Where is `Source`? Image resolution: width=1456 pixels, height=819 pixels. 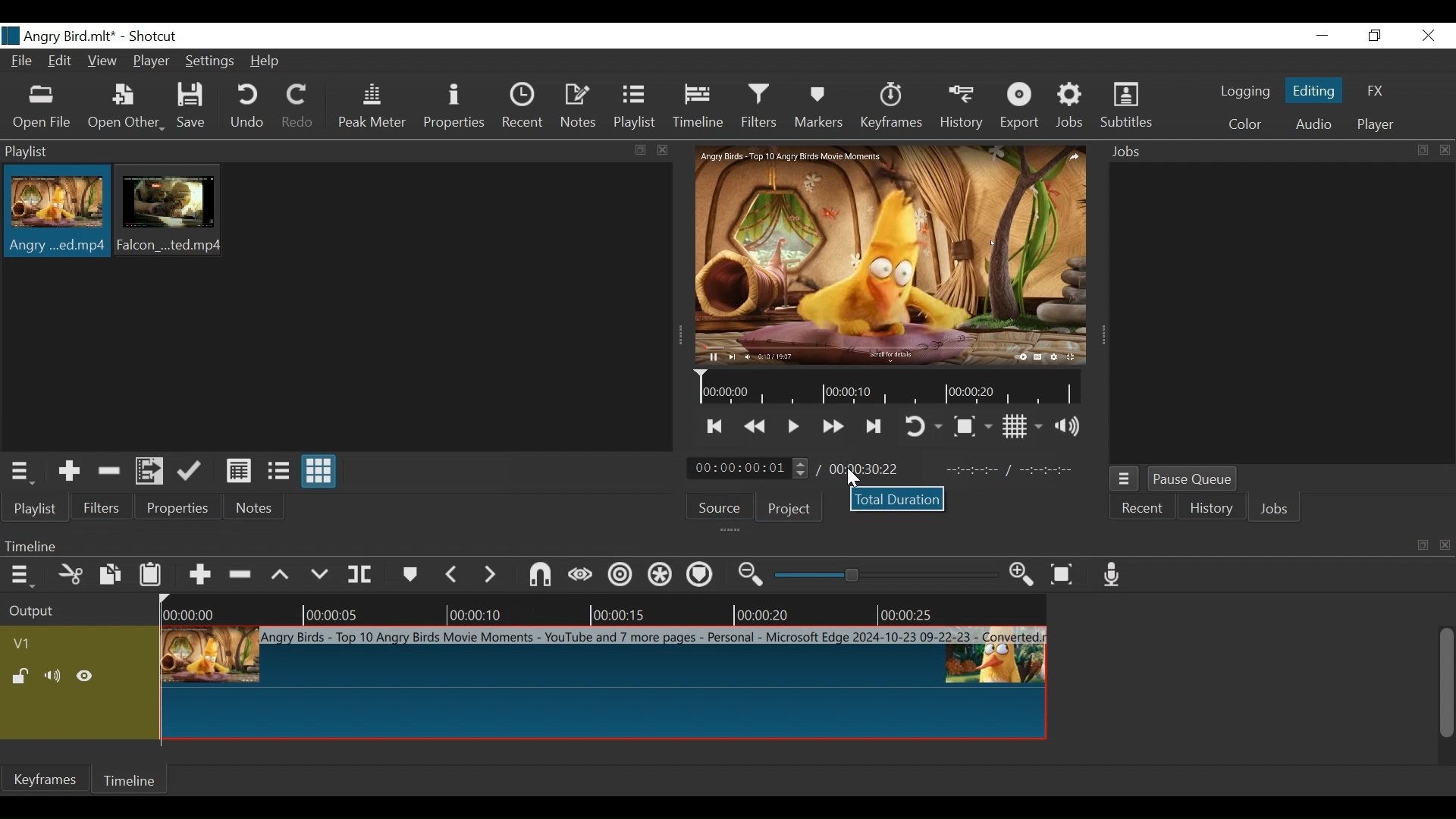
Source is located at coordinates (720, 507).